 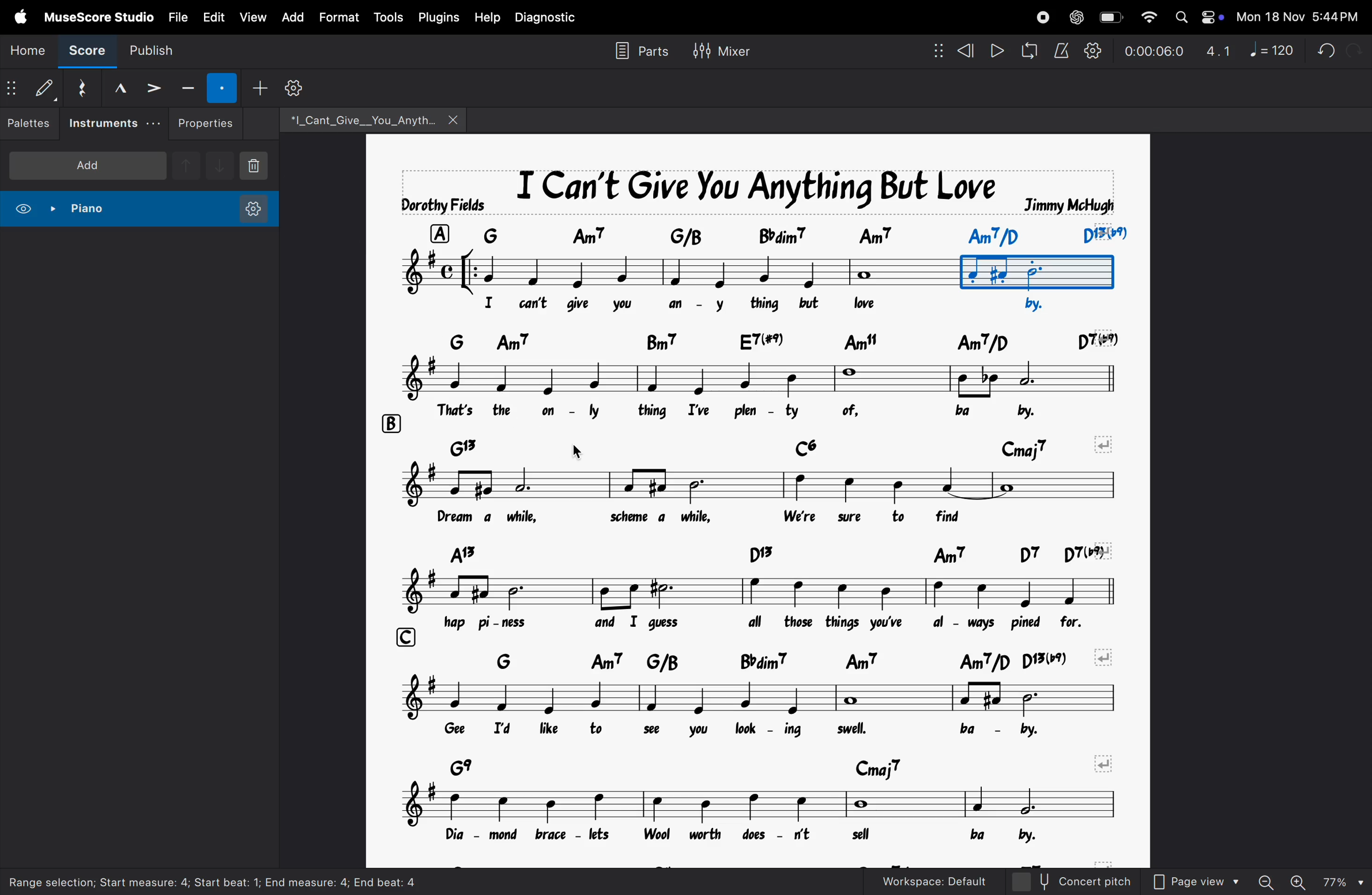 I want to click on format, so click(x=341, y=17).